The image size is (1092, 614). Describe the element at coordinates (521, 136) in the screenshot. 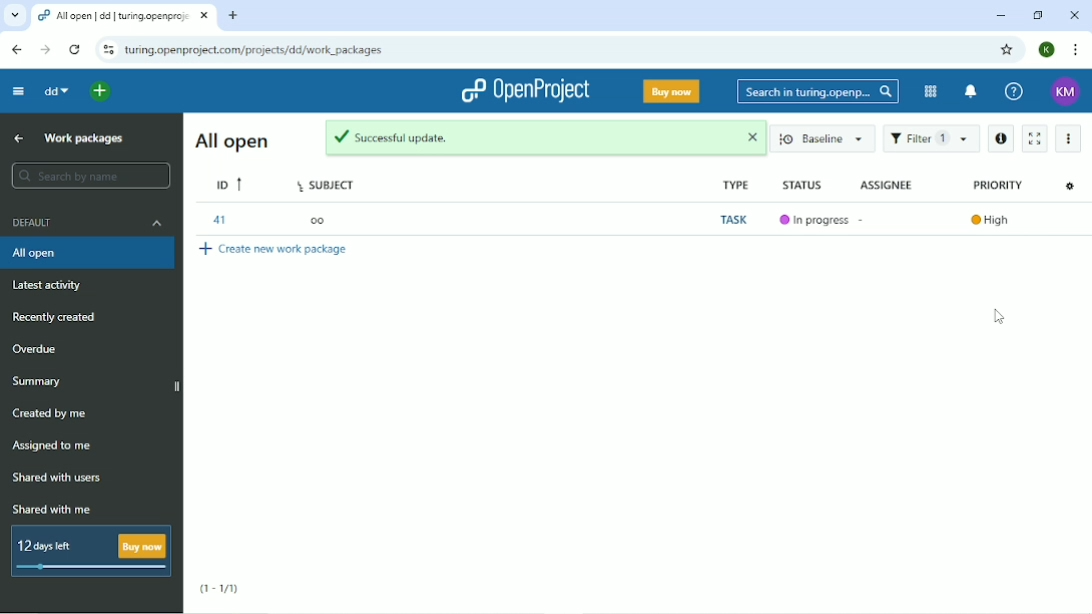

I see `Successful update` at that location.